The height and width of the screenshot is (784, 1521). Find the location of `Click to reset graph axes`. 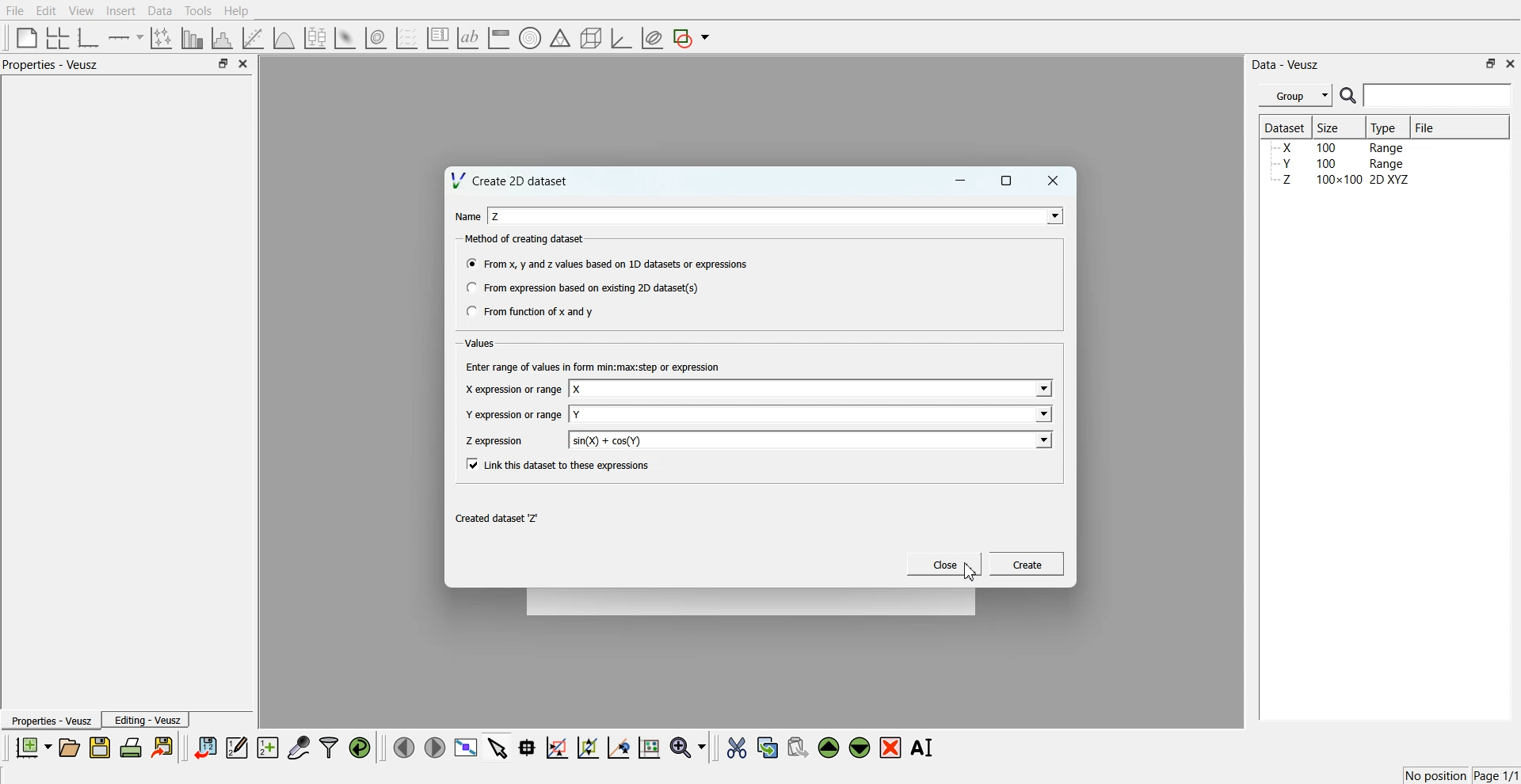

Click to reset graph axes is located at coordinates (649, 746).